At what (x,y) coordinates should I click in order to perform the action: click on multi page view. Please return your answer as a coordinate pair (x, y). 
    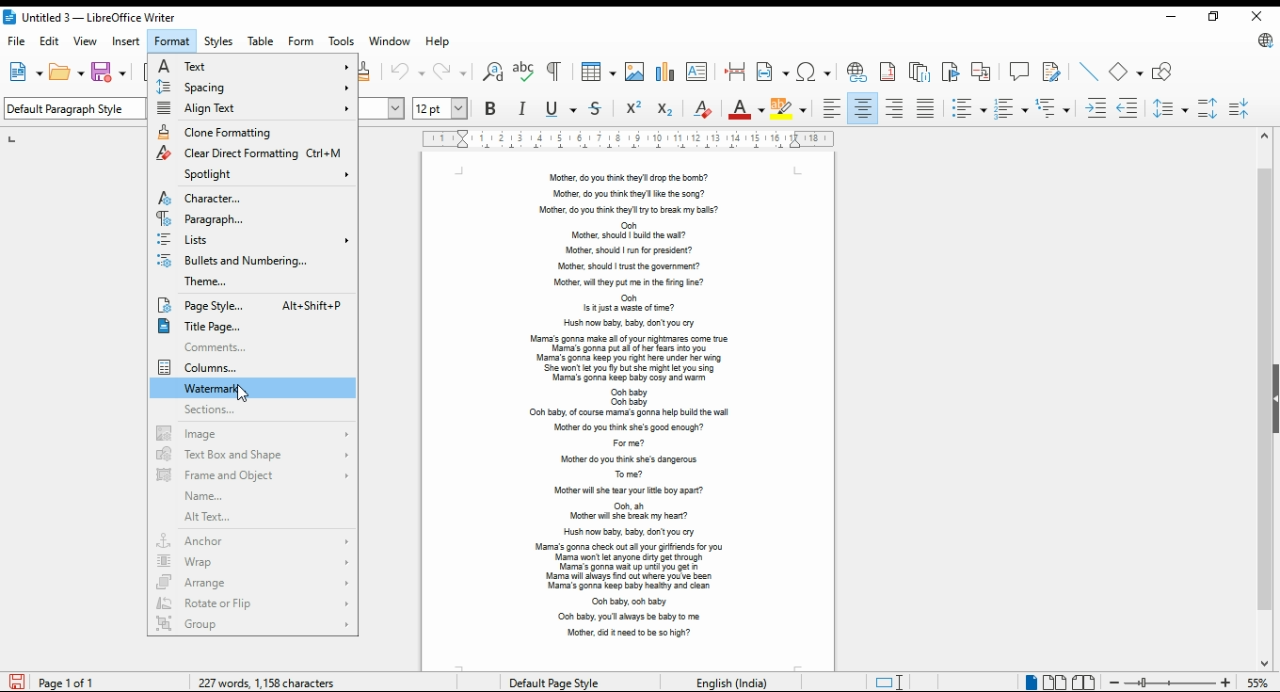
    Looking at the image, I should click on (1053, 682).